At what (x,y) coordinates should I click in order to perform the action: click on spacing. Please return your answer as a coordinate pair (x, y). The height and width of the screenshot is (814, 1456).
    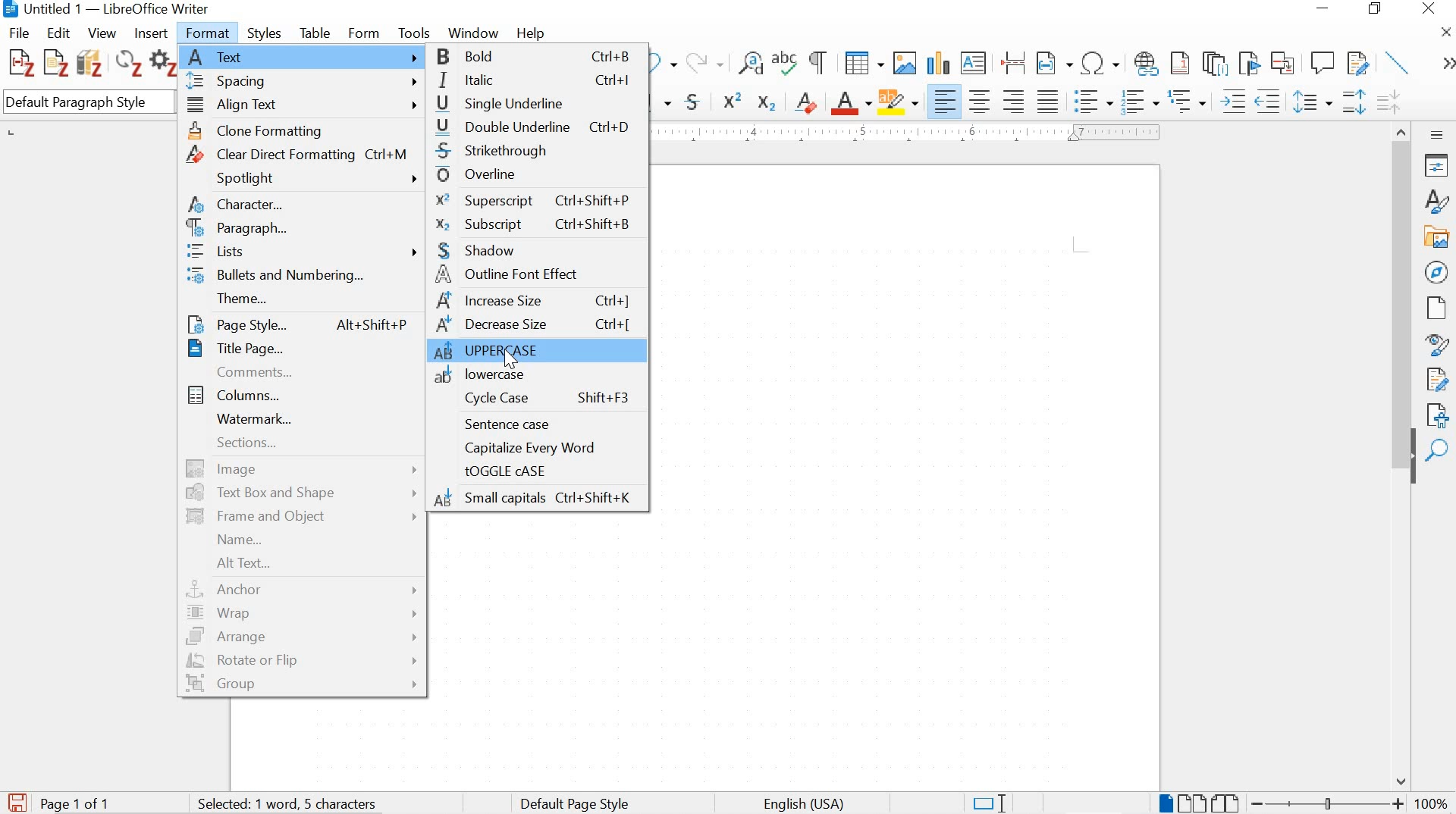
    Looking at the image, I should click on (303, 82).